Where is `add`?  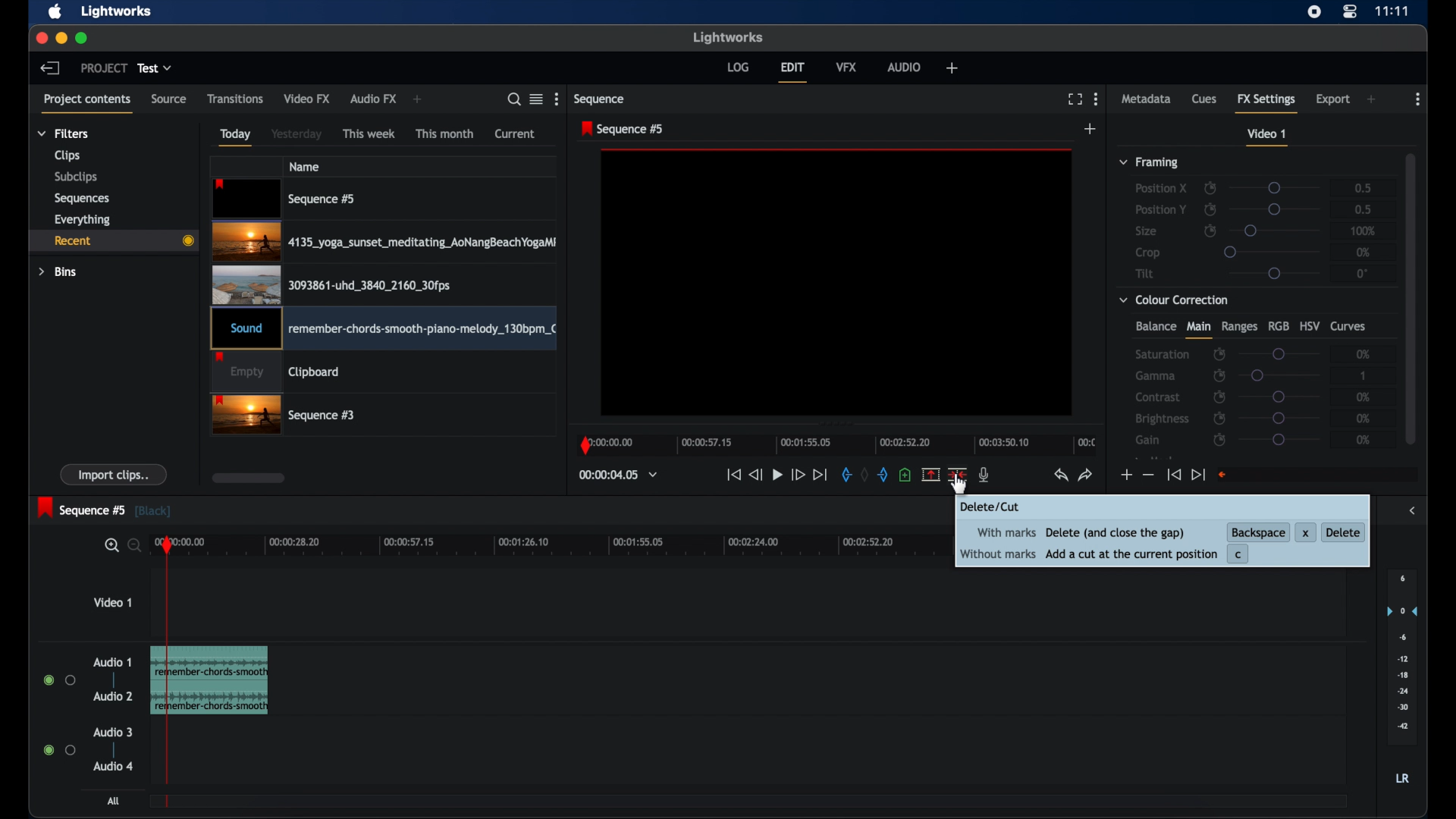 add is located at coordinates (1091, 128).